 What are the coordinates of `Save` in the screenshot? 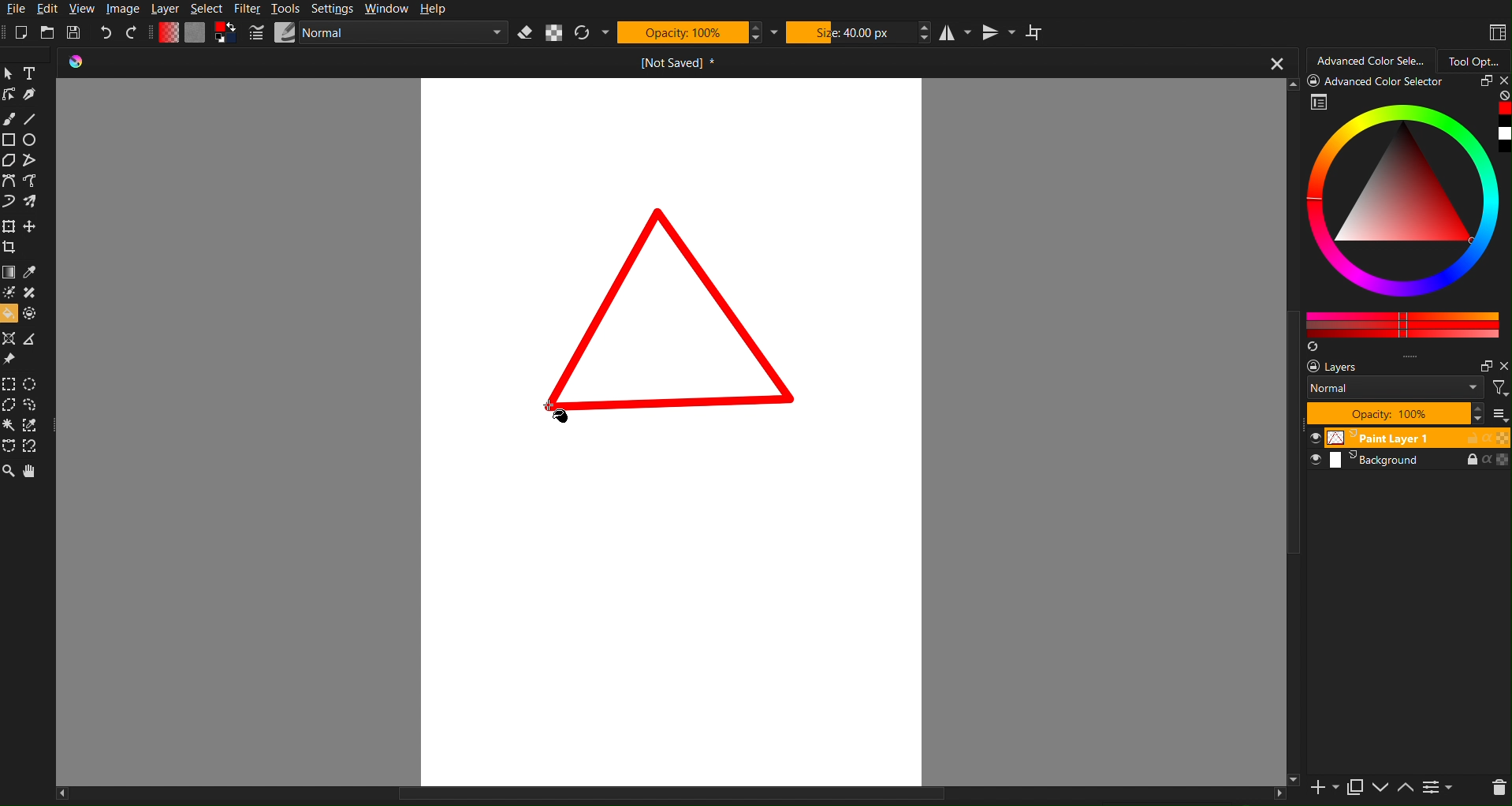 It's located at (76, 32).